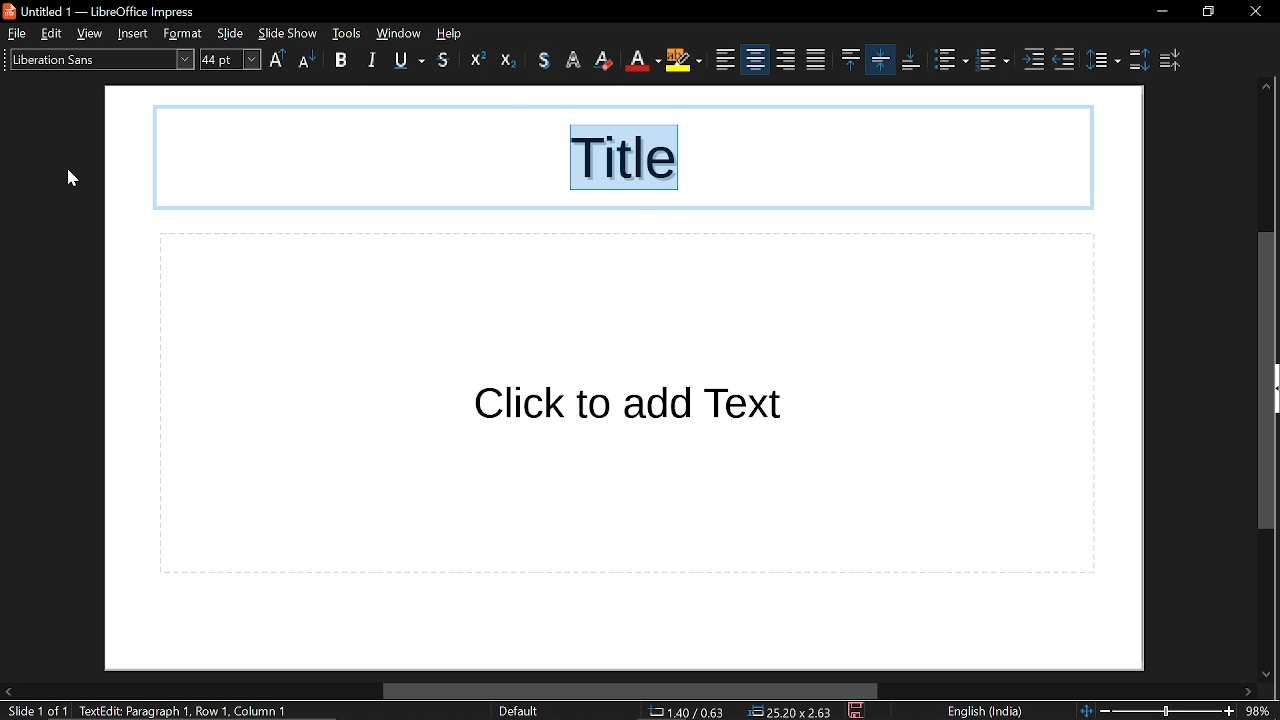 This screenshot has width=1280, height=720. Describe the element at coordinates (950, 60) in the screenshot. I see `toggle unordered list` at that location.